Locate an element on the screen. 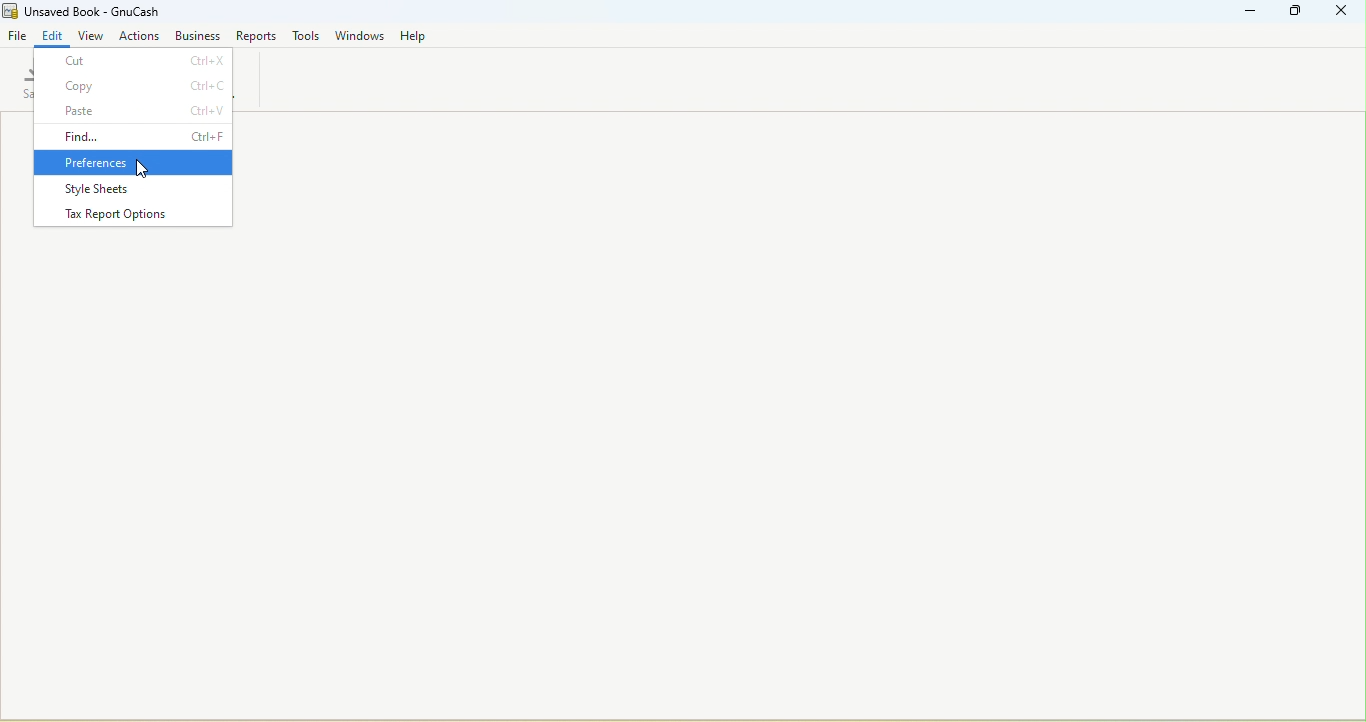 The width and height of the screenshot is (1366, 722). Preferences is located at coordinates (132, 163).